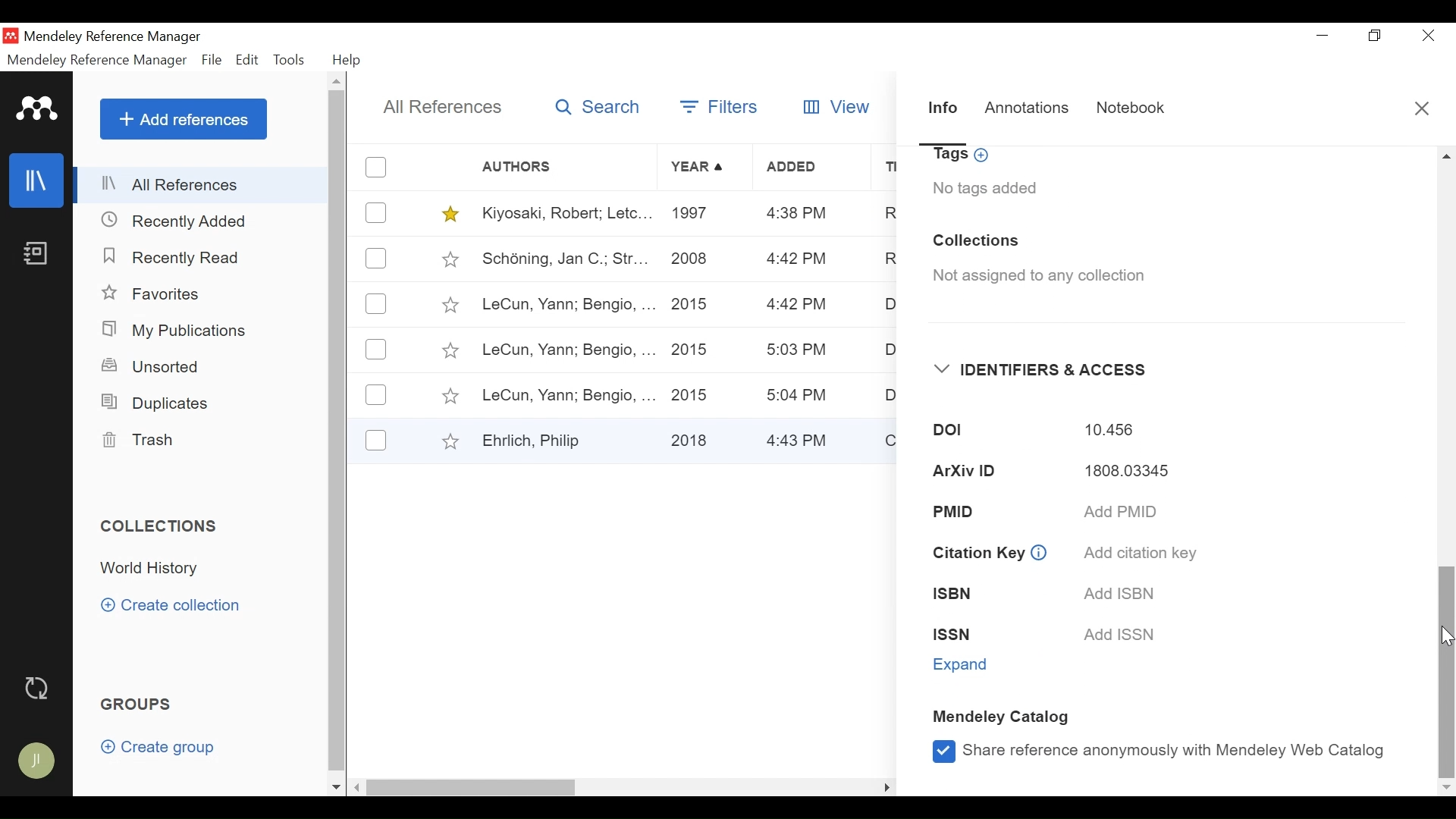 The image size is (1456, 819). Describe the element at coordinates (567, 394) in the screenshot. I see `LeCun, Yann; Bengio, ...` at that location.